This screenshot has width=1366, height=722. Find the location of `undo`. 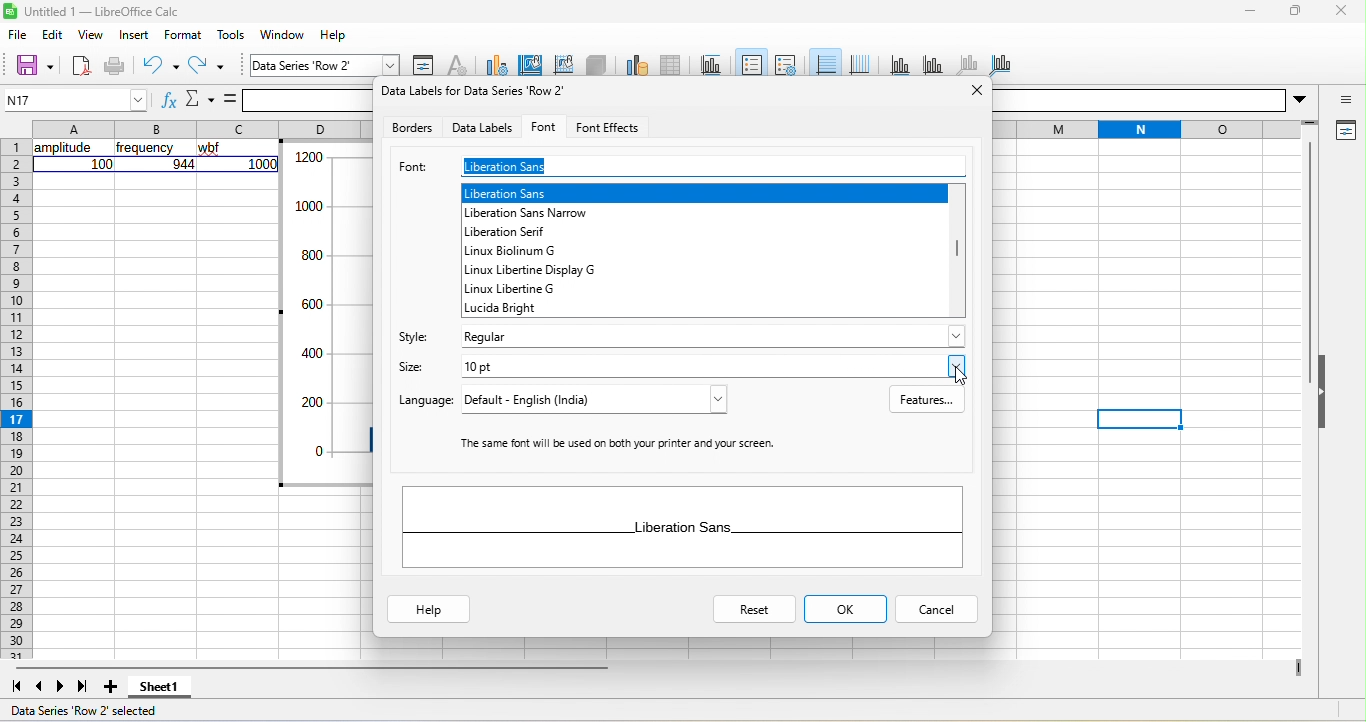

undo is located at coordinates (161, 65).